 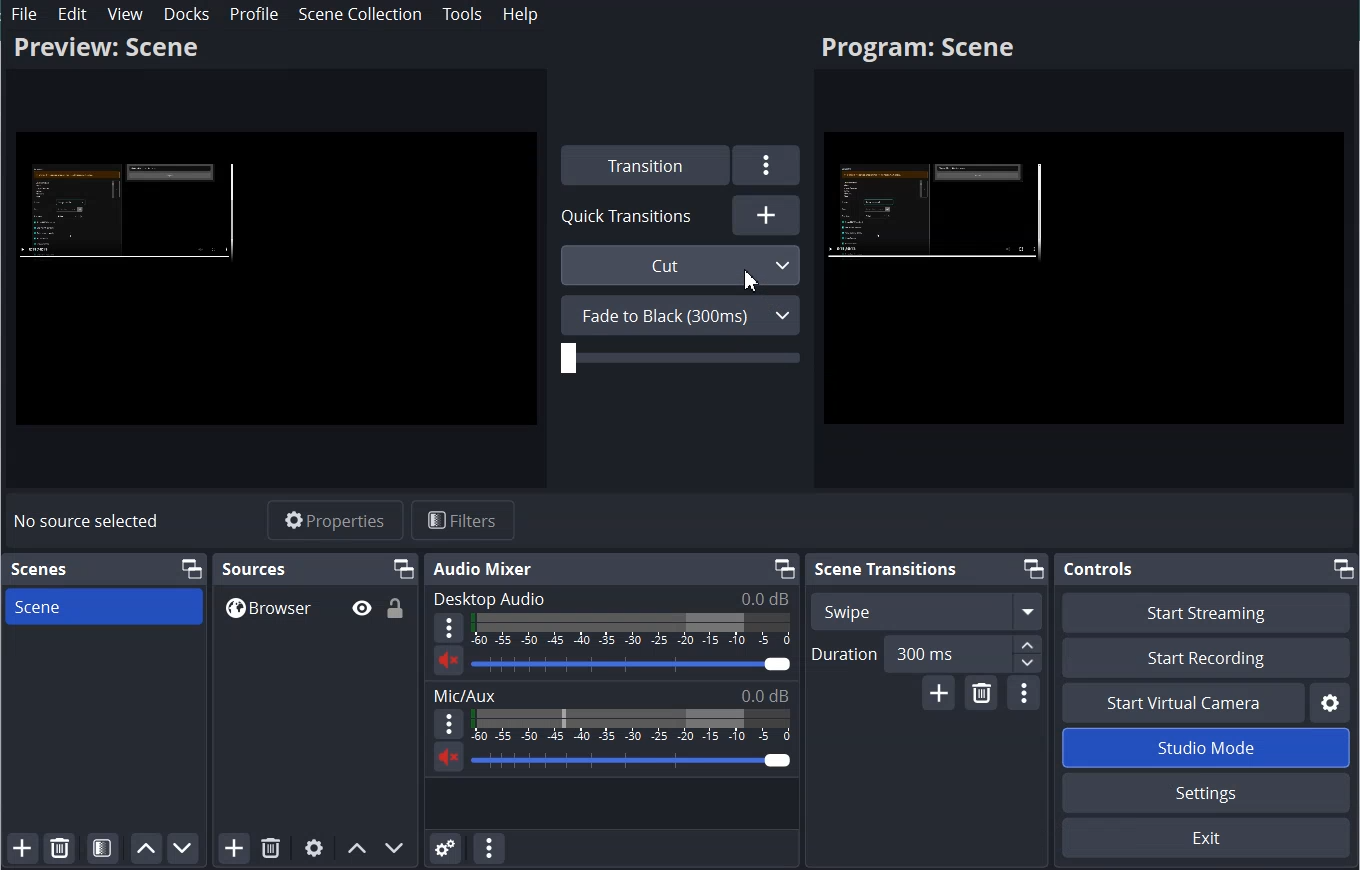 What do you see at coordinates (361, 608) in the screenshot?
I see `Hide` at bounding box center [361, 608].